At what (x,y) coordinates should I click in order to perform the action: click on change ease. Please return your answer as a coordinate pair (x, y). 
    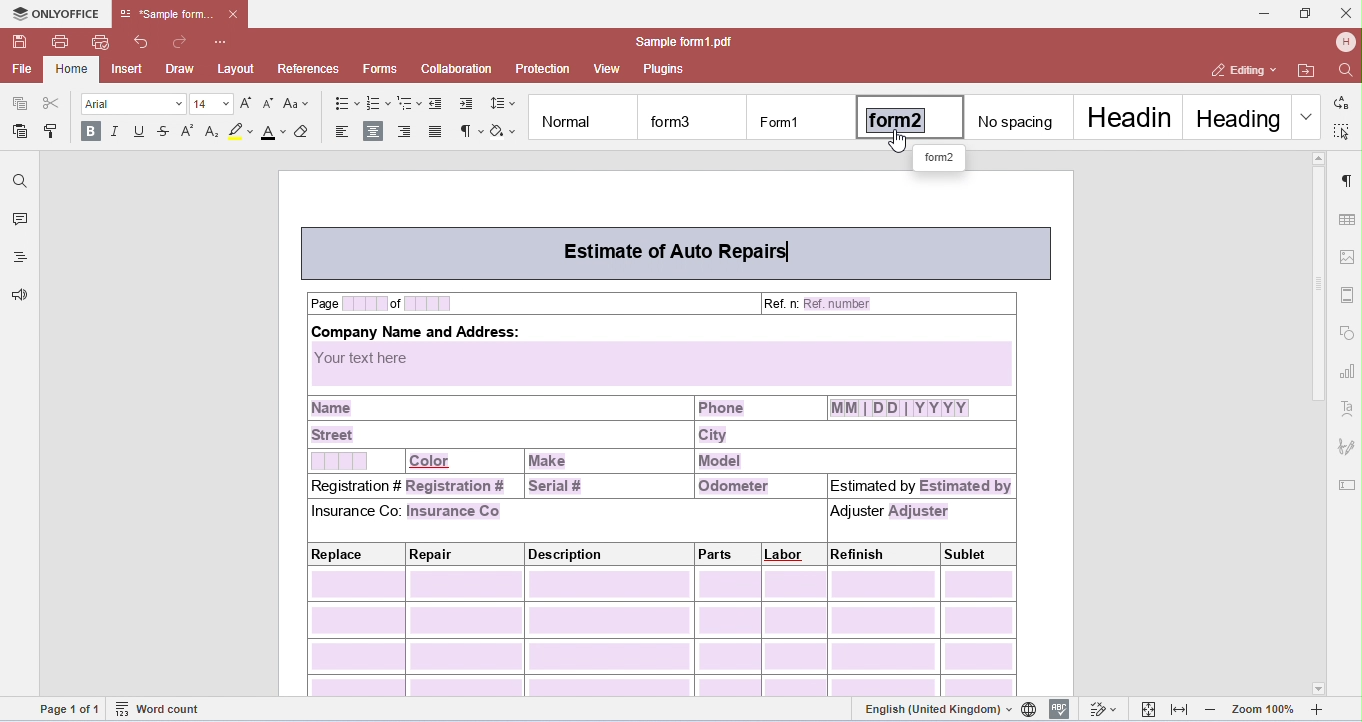
    Looking at the image, I should click on (298, 103).